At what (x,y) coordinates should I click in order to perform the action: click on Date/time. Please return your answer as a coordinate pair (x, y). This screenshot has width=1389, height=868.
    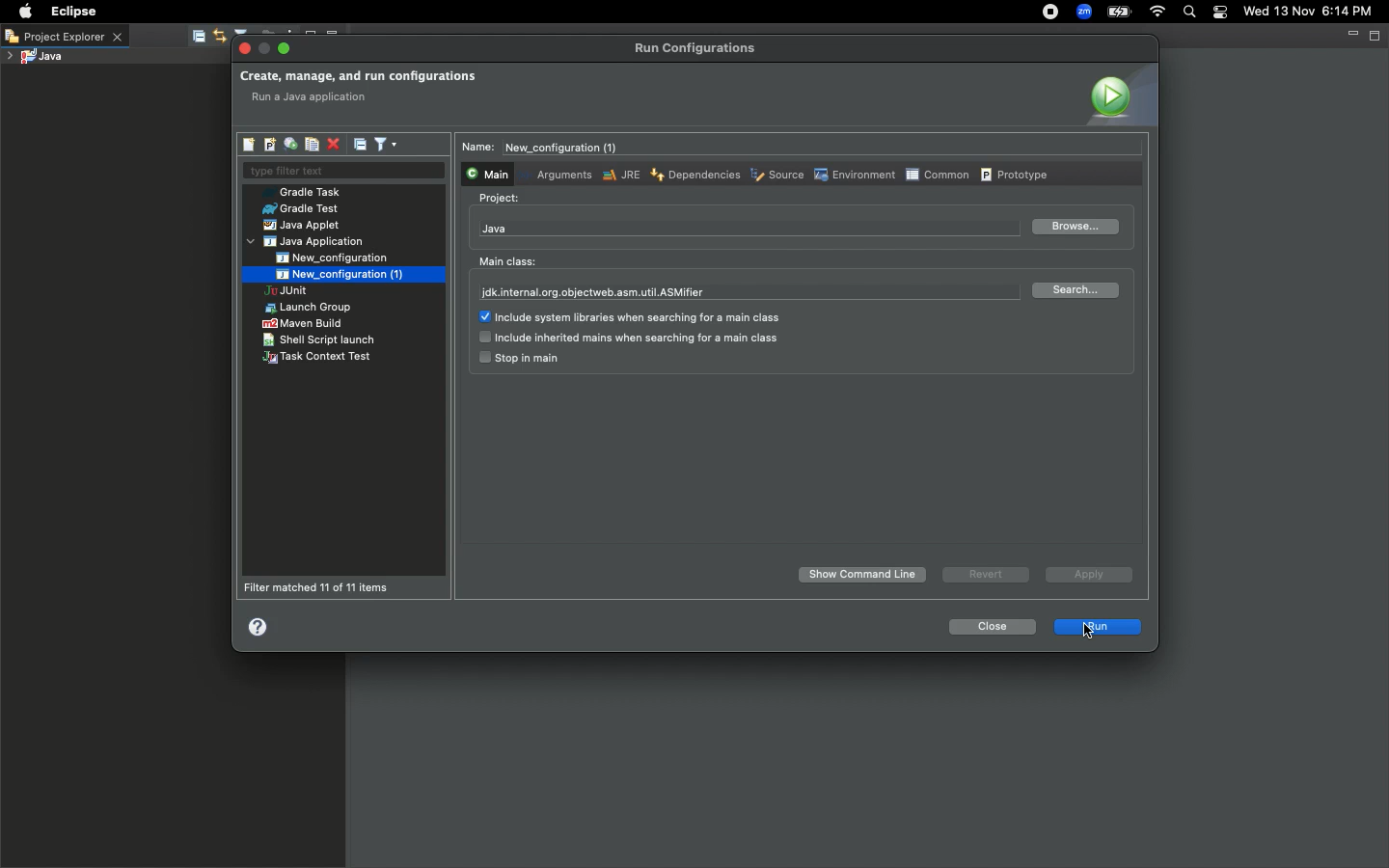
    Looking at the image, I should click on (1316, 11).